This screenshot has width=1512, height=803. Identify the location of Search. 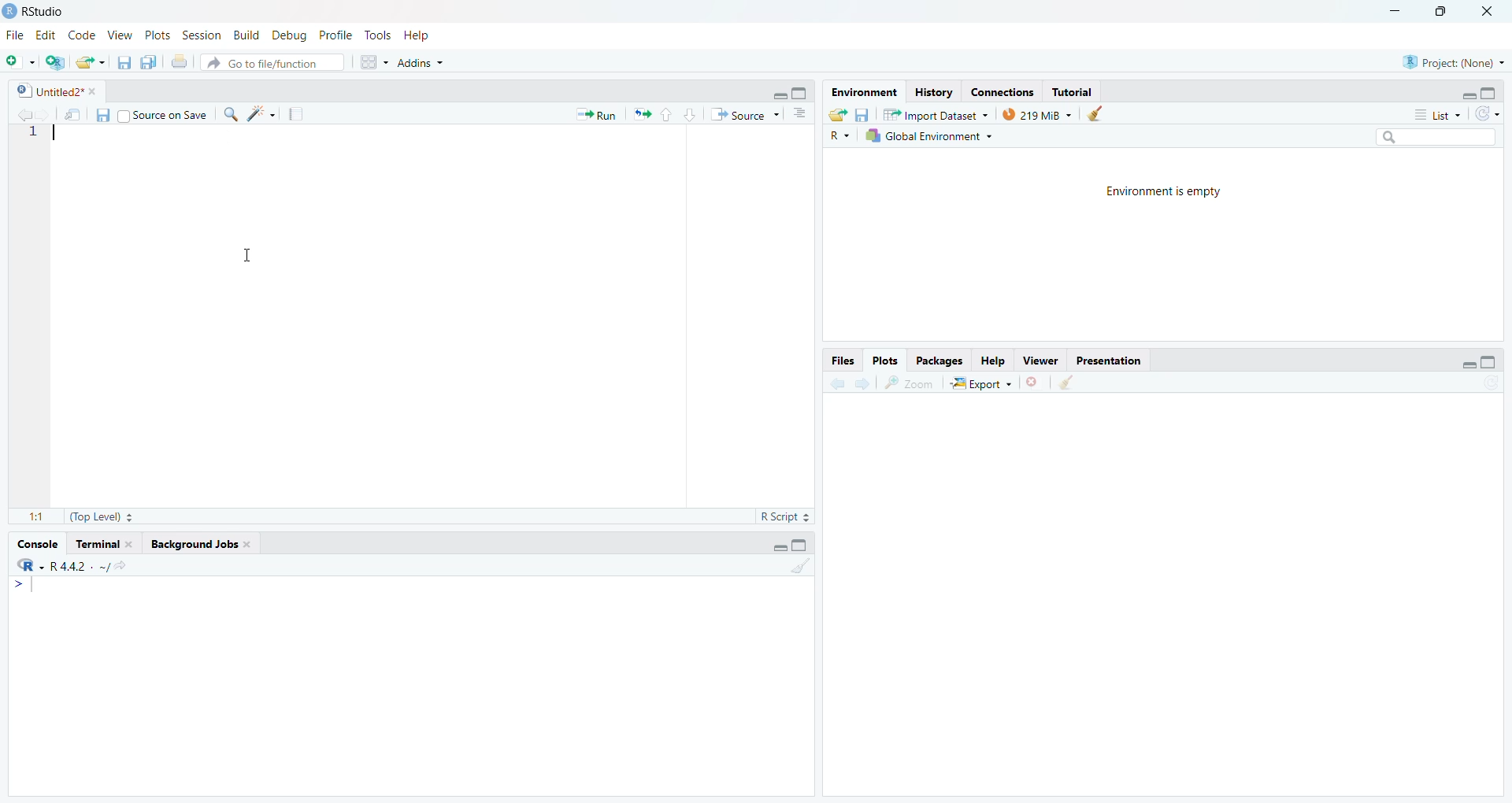
(1437, 138).